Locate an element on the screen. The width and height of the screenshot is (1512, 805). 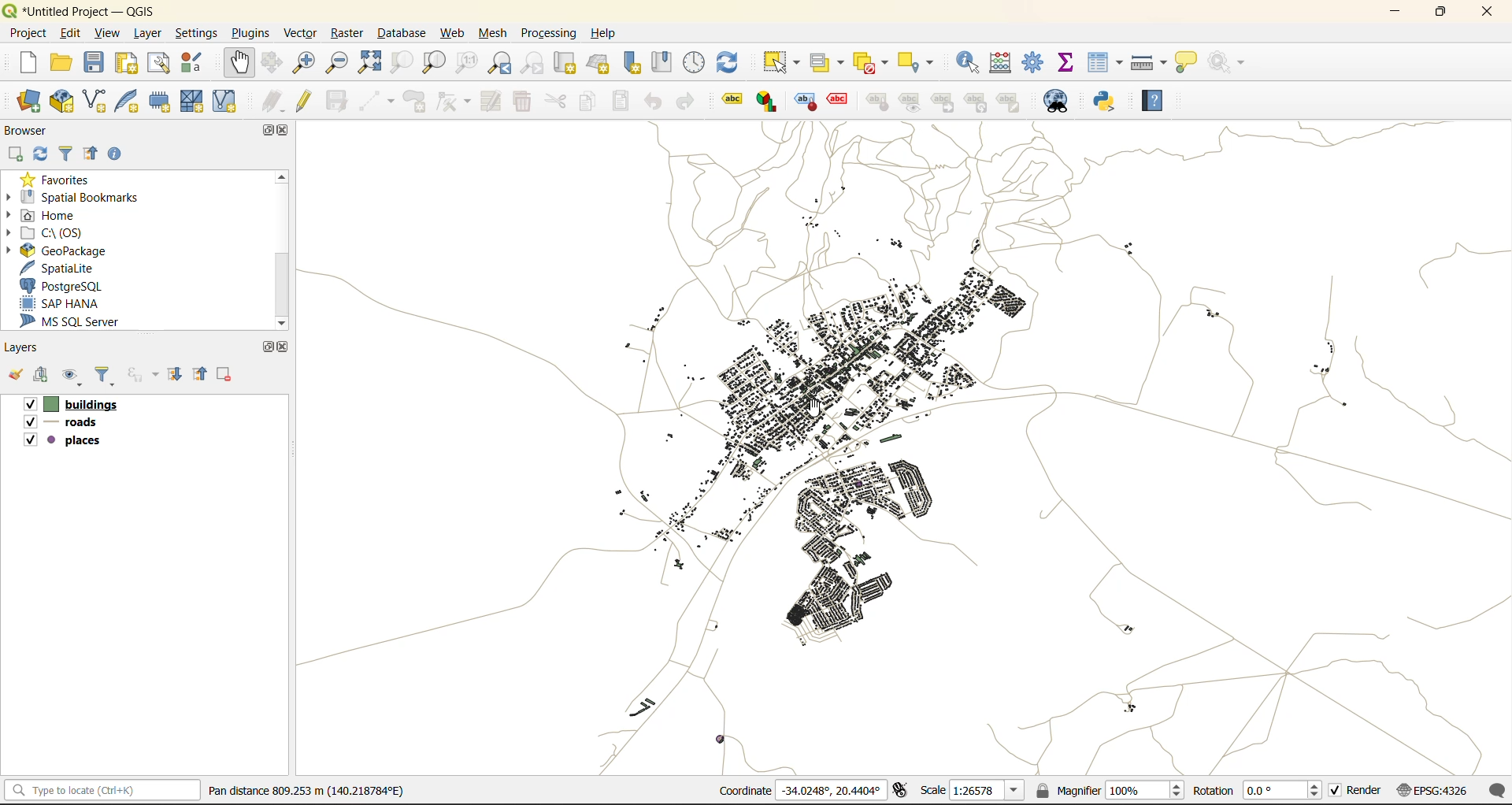
new map view is located at coordinates (570, 64).